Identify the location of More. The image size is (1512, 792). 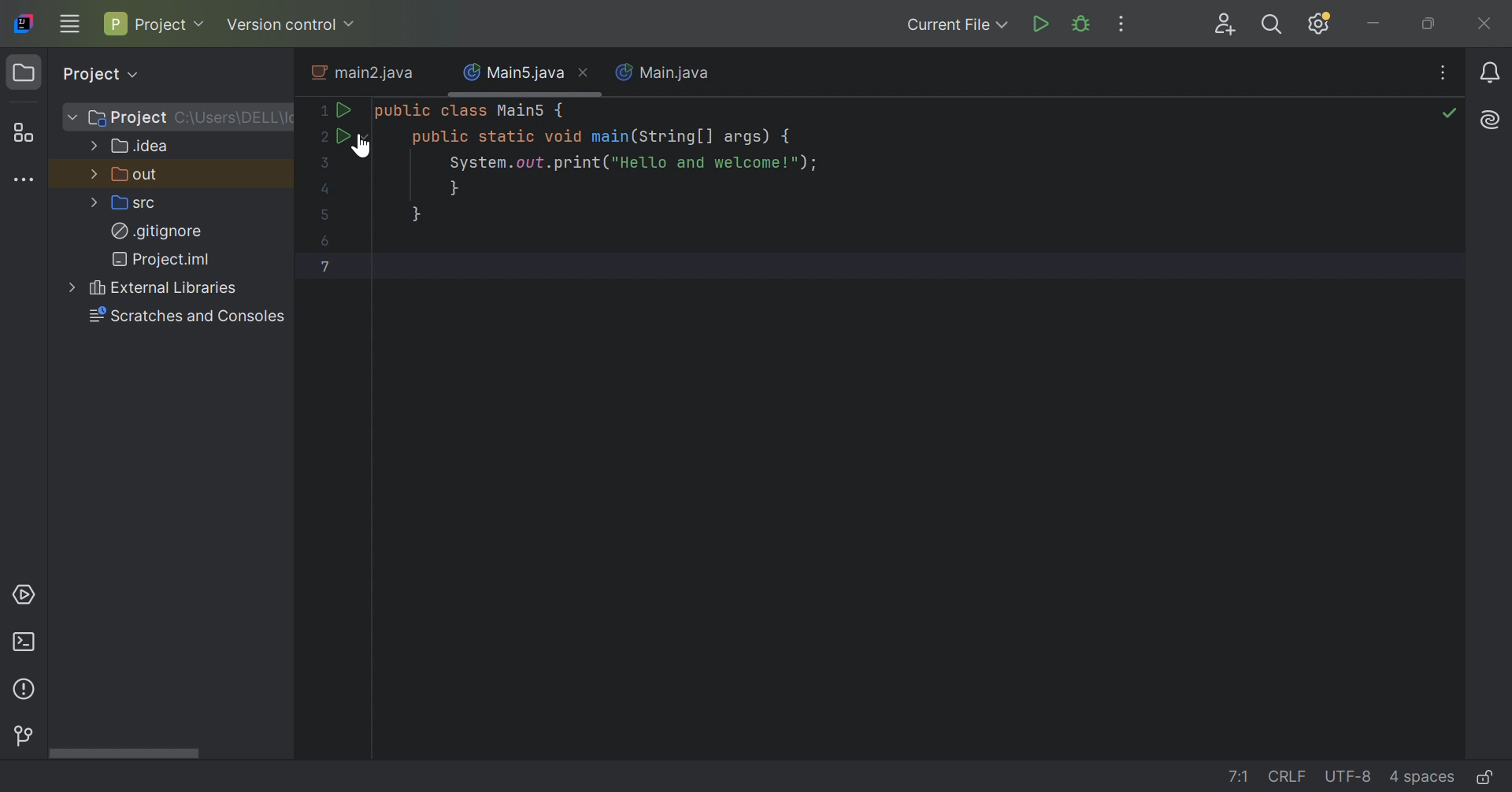
(94, 202).